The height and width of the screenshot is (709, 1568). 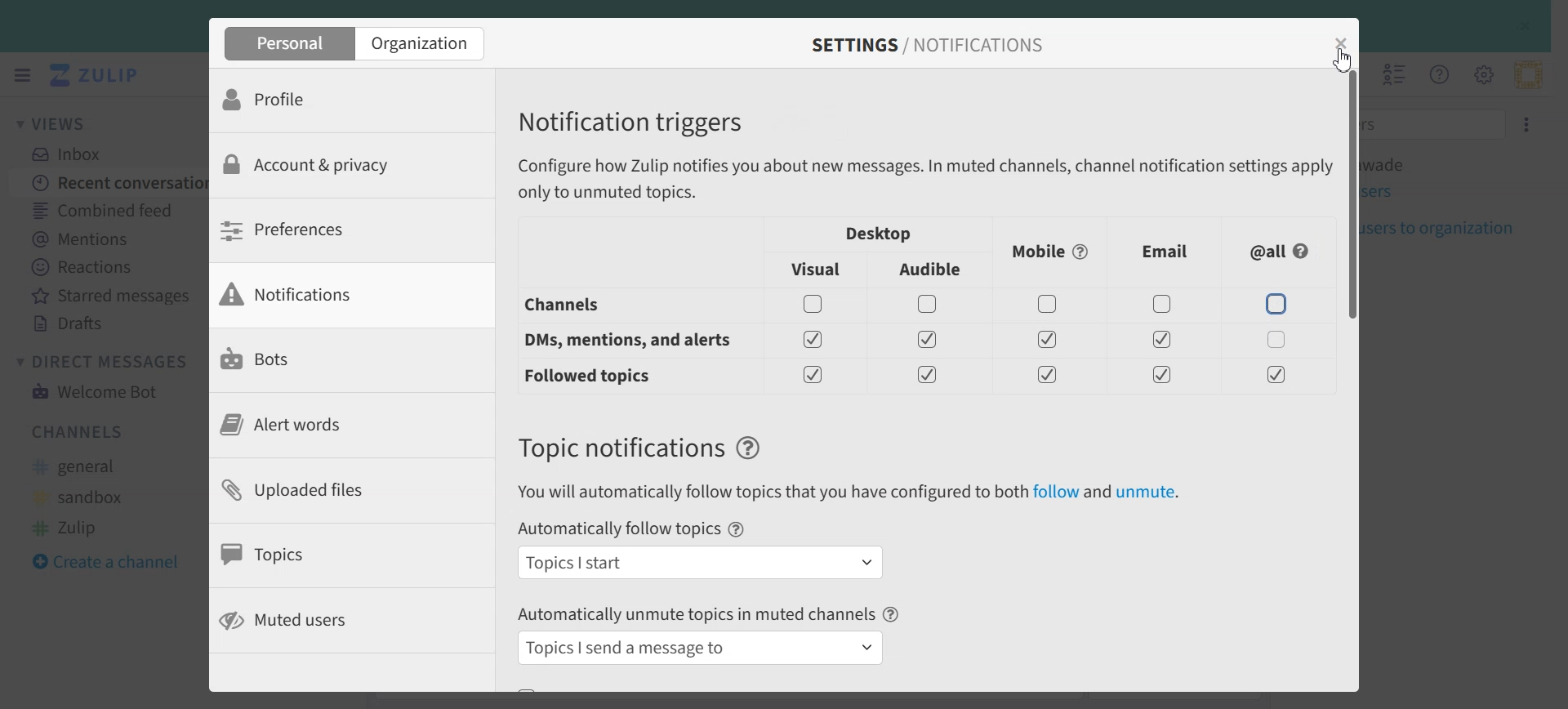 I want to click on Hide user list, so click(x=1395, y=74).